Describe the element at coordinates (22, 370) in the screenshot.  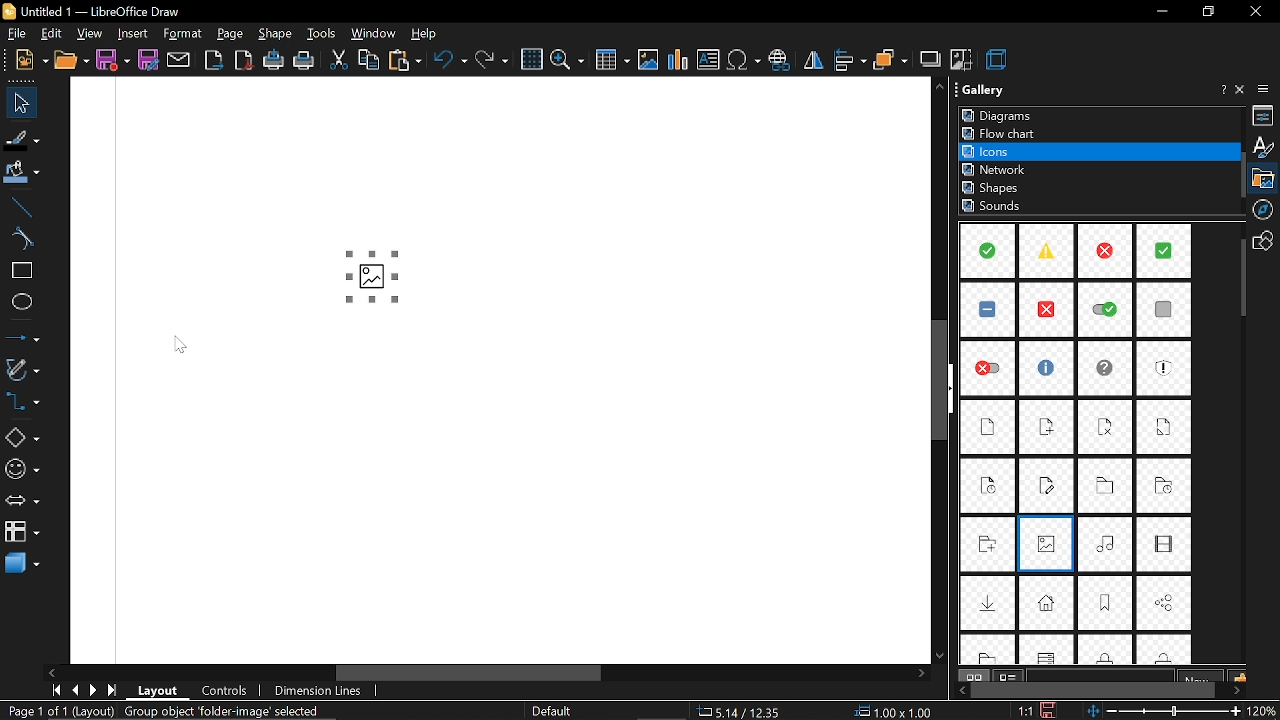
I see `curves and polygons` at that location.